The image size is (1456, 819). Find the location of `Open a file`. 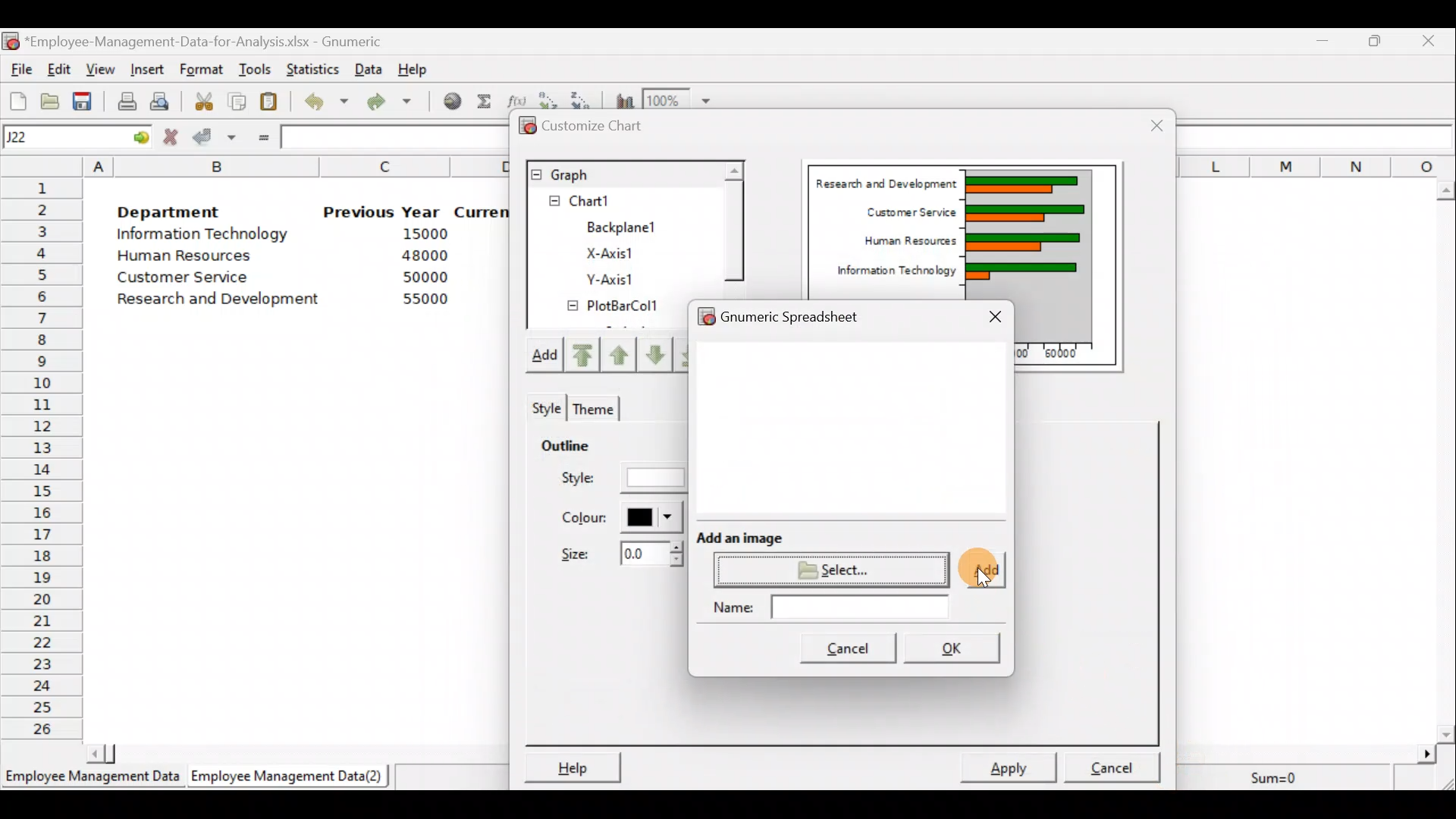

Open a file is located at coordinates (49, 99).